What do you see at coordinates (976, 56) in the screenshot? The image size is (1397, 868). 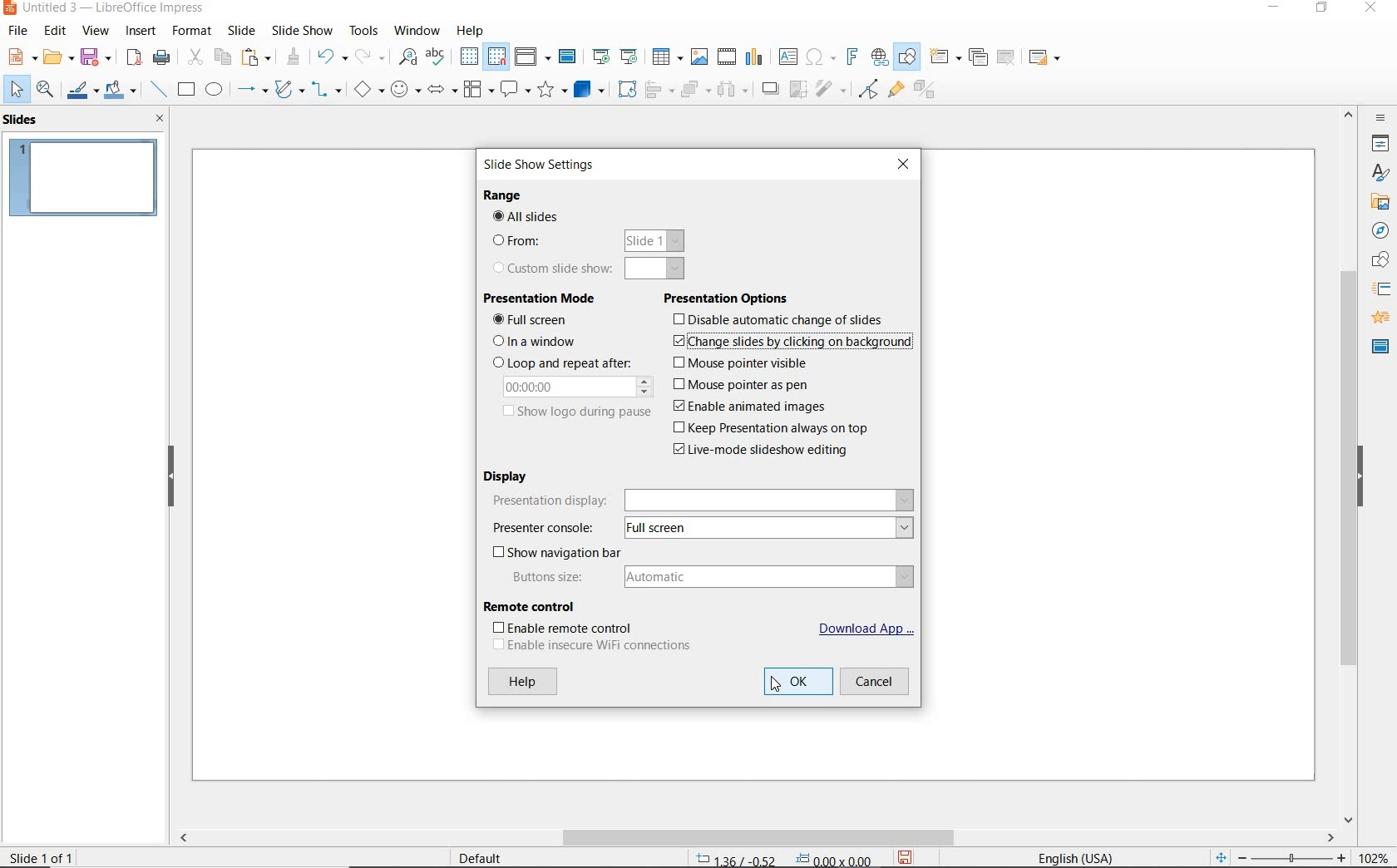 I see `DUPLICATE SLIDE` at bounding box center [976, 56].